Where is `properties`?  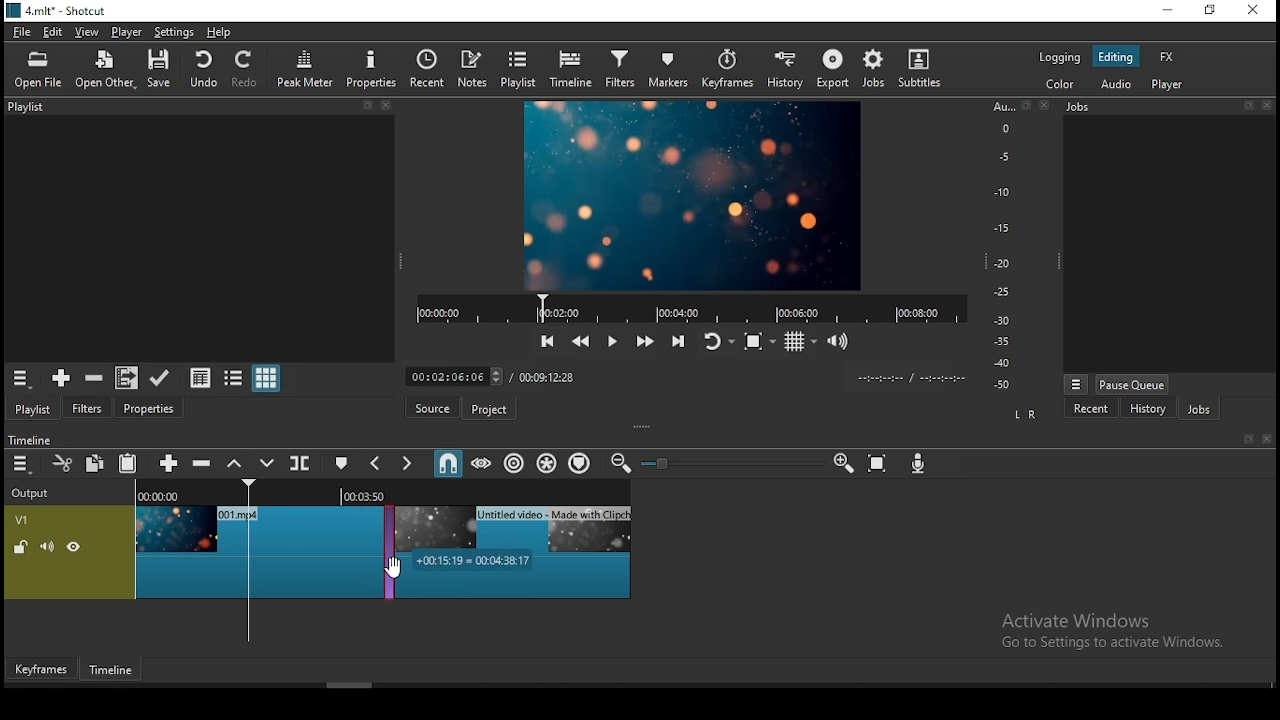 properties is located at coordinates (371, 68).